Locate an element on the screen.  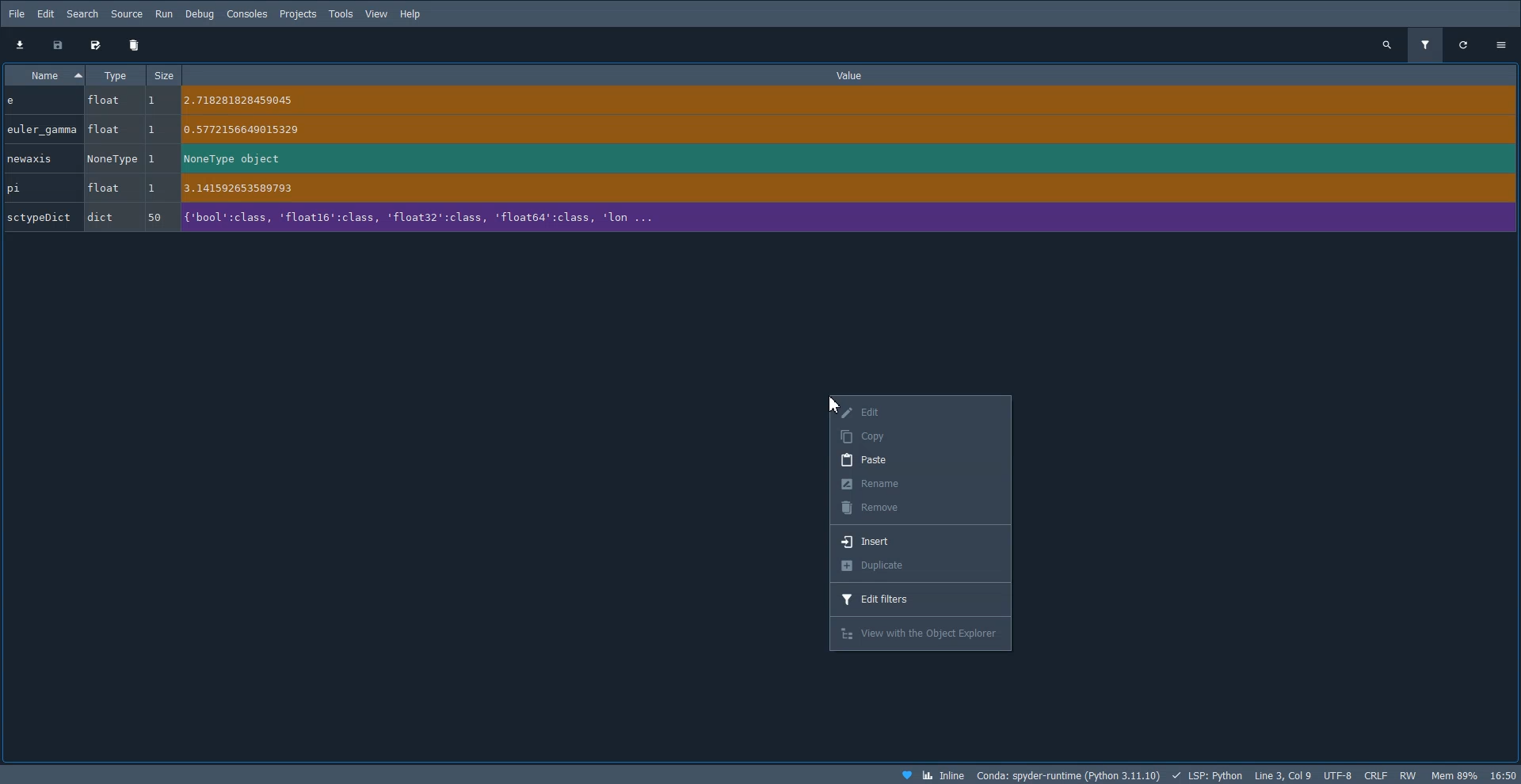
Name is located at coordinates (44, 74).